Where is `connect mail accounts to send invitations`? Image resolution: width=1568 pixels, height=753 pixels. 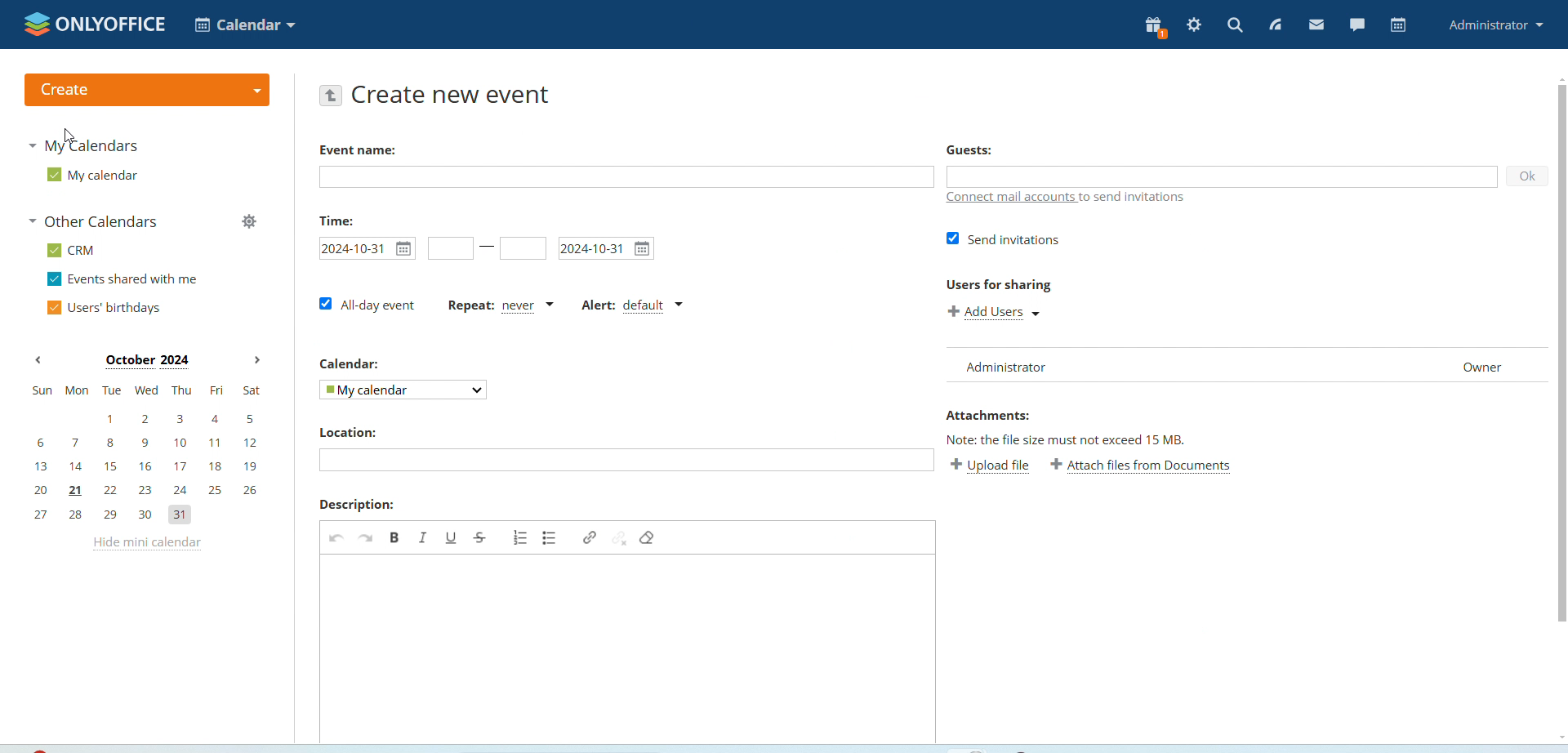 connect mail accounts to send invitations is located at coordinates (1070, 200).